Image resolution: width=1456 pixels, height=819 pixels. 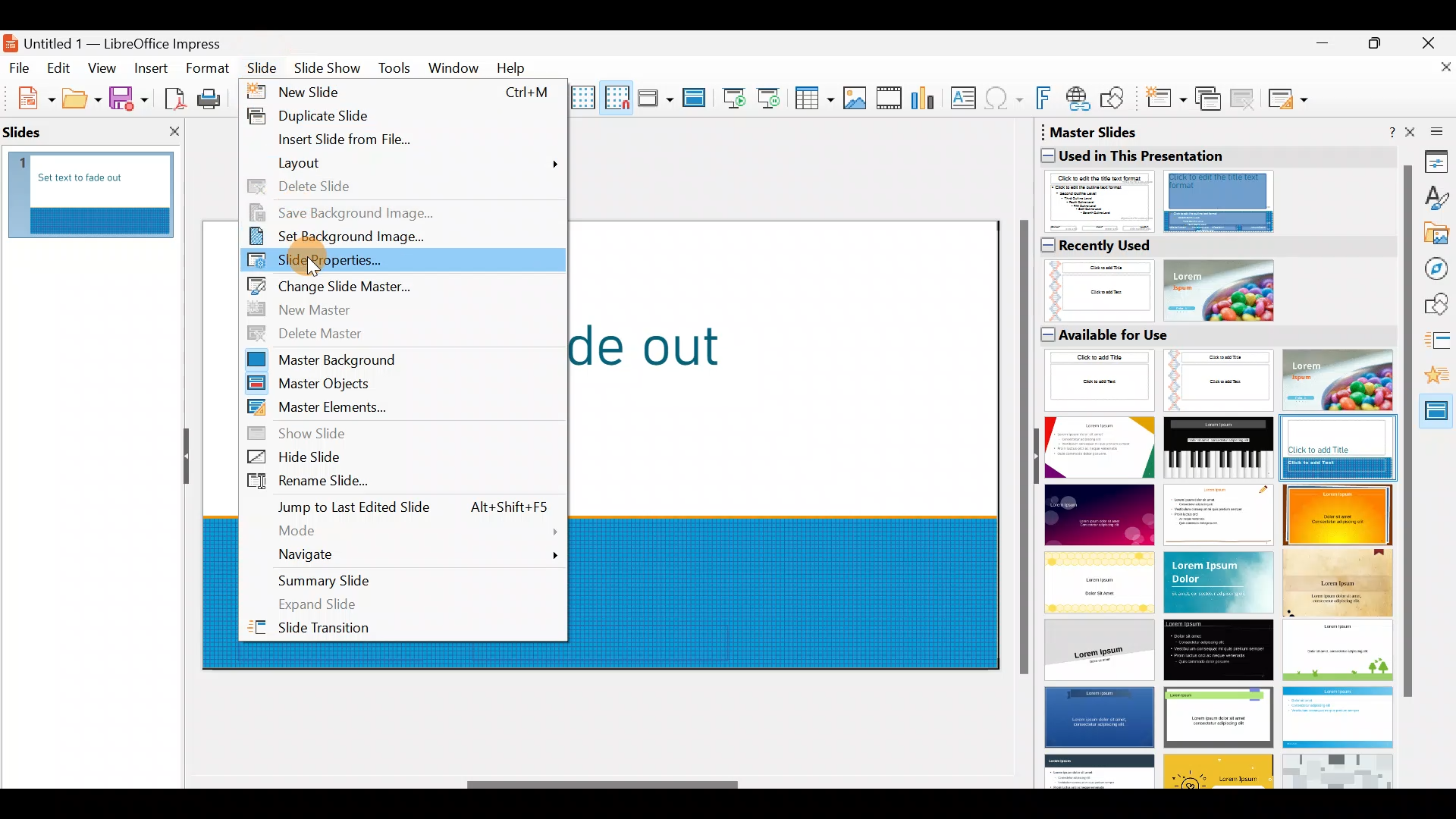 I want to click on Rename slide, so click(x=402, y=485).